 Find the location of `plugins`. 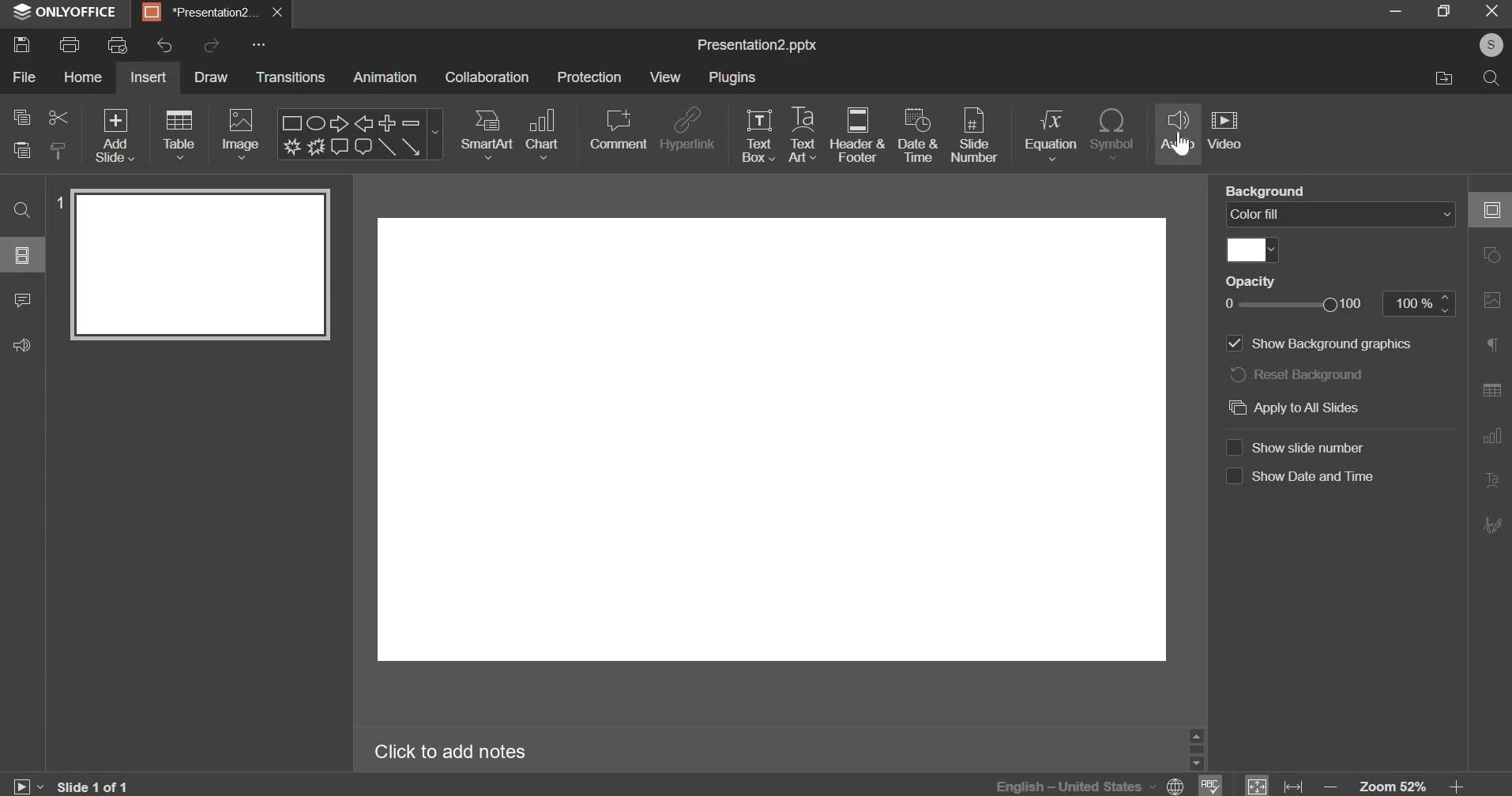

plugins is located at coordinates (735, 78).